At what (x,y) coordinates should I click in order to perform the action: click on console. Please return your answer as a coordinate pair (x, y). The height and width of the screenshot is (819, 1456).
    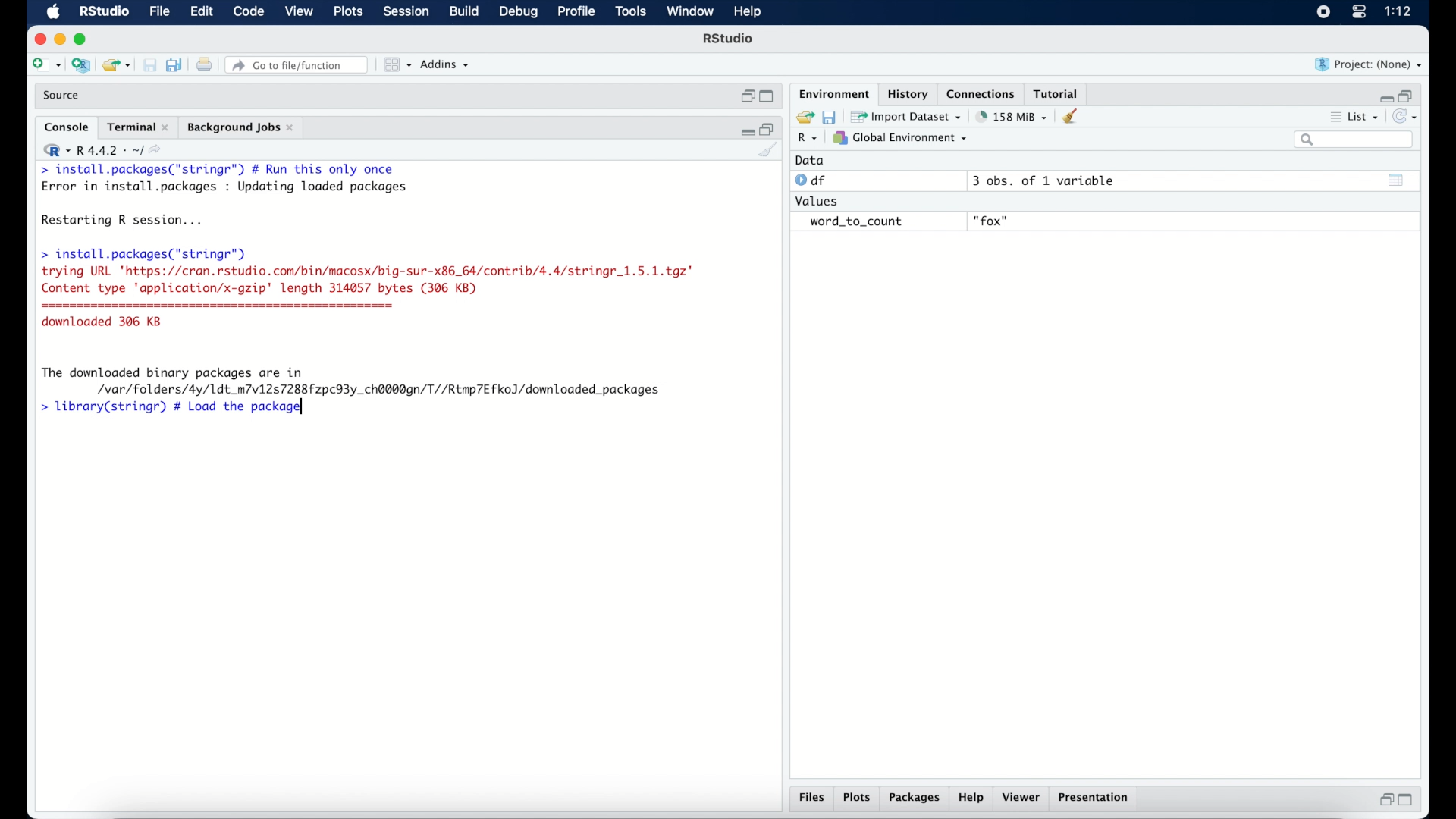
    Looking at the image, I should click on (67, 127).